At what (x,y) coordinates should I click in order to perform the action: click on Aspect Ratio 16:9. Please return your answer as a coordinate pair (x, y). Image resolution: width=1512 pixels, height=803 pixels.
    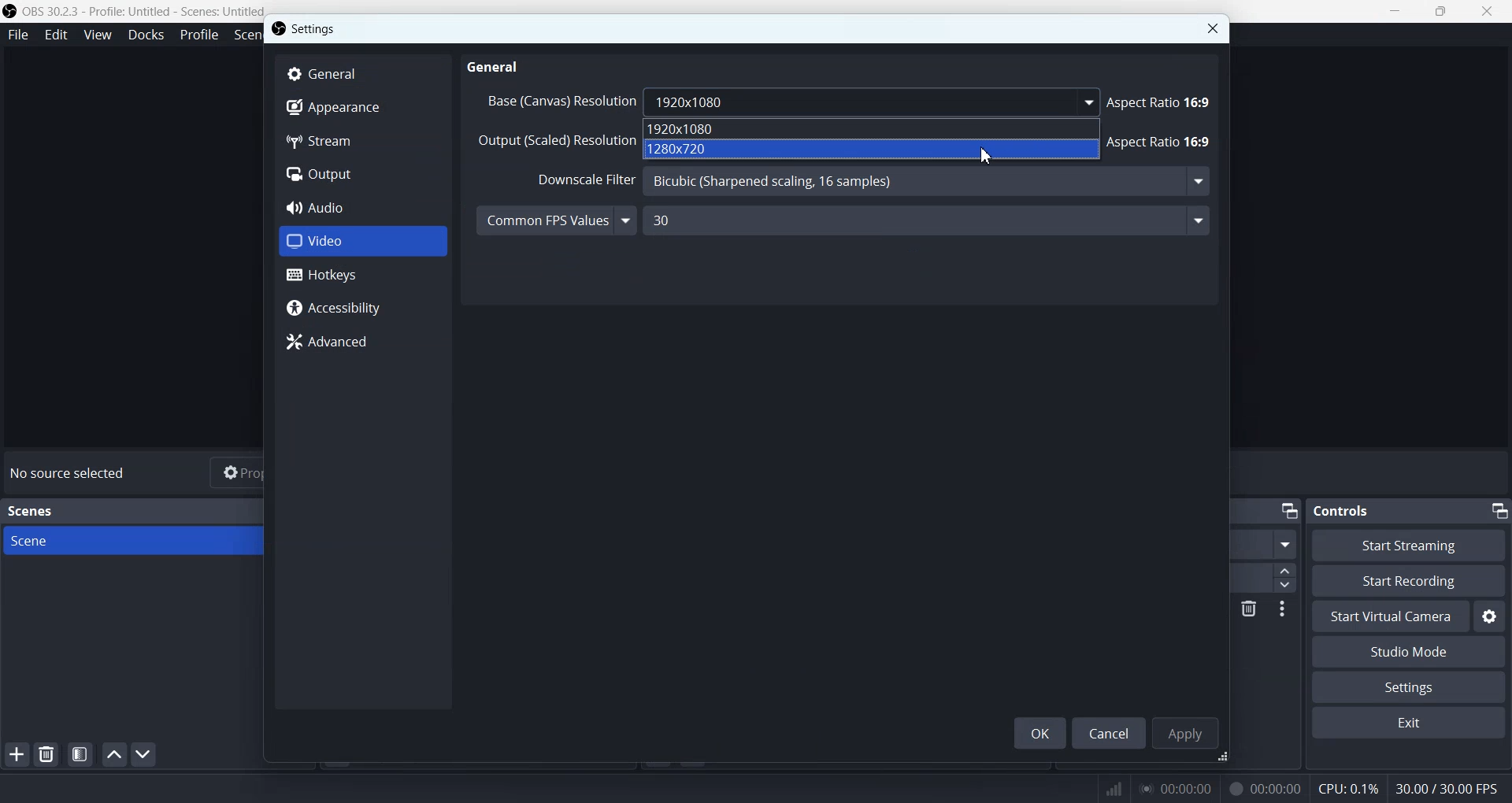
    Looking at the image, I should click on (1161, 142).